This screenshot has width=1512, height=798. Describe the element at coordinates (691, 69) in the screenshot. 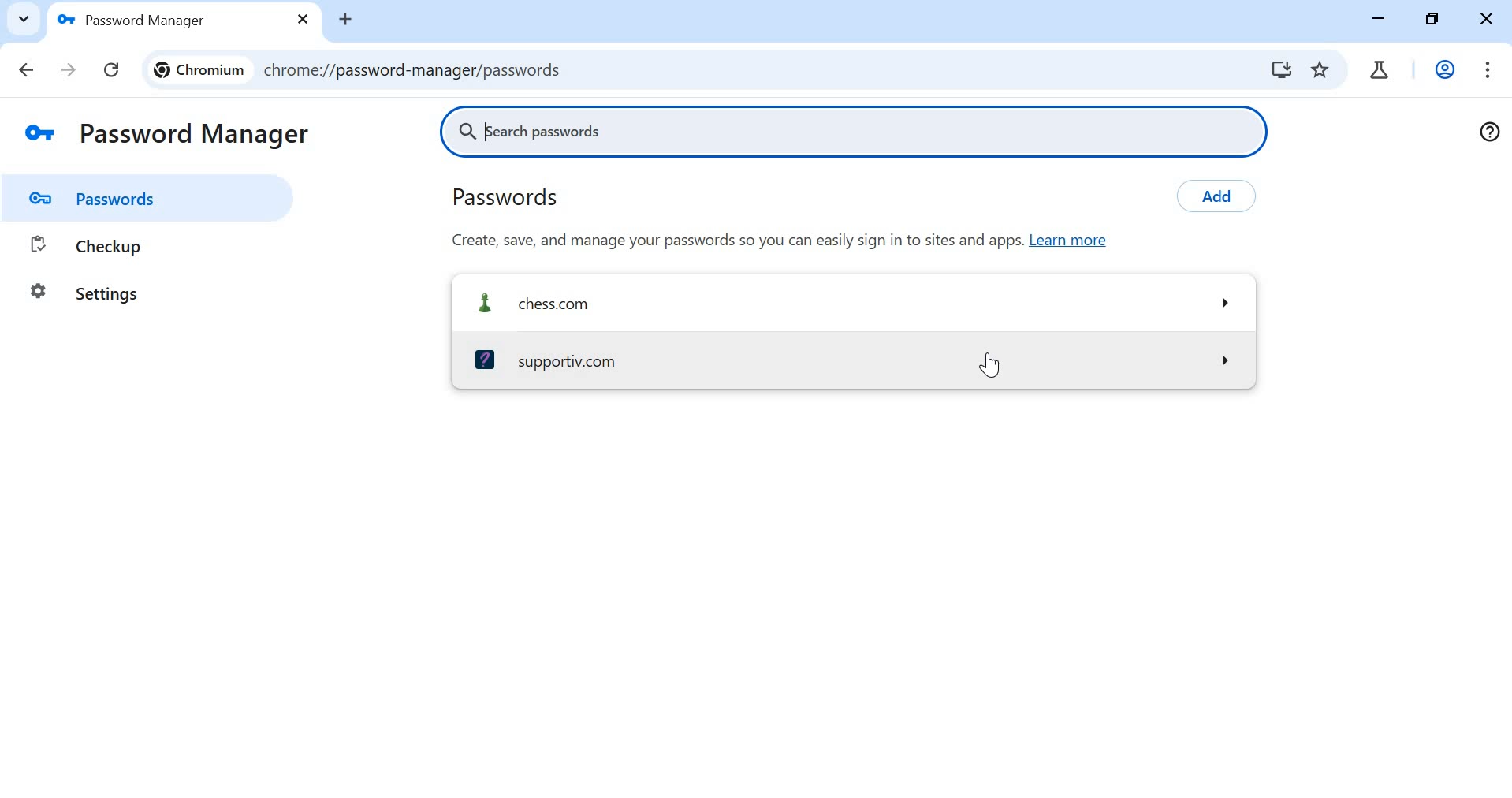

I see `chrome://password-manager/passwords` at that location.